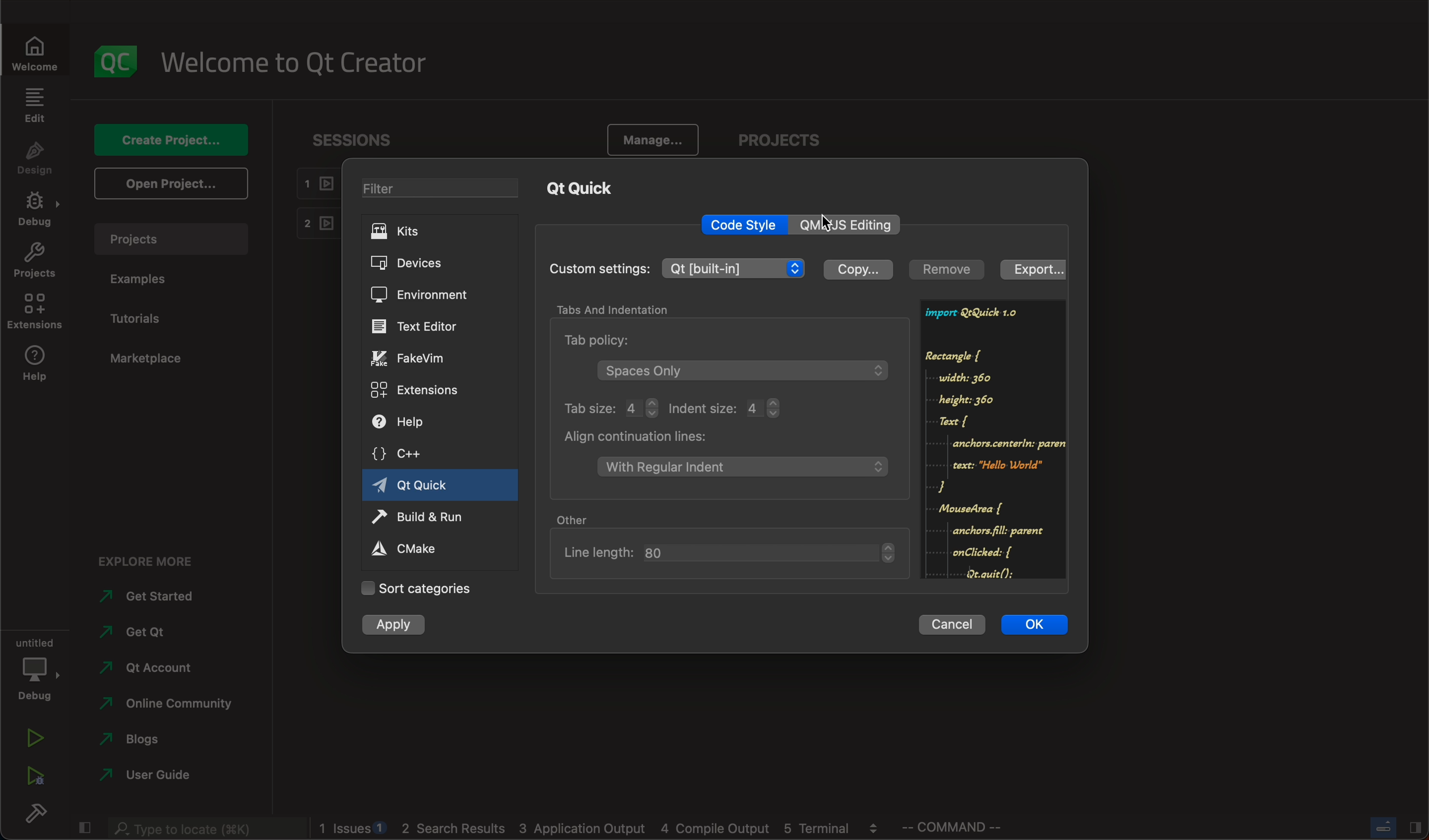  Describe the element at coordinates (141, 316) in the screenshot. I see `tutorials` at that location.